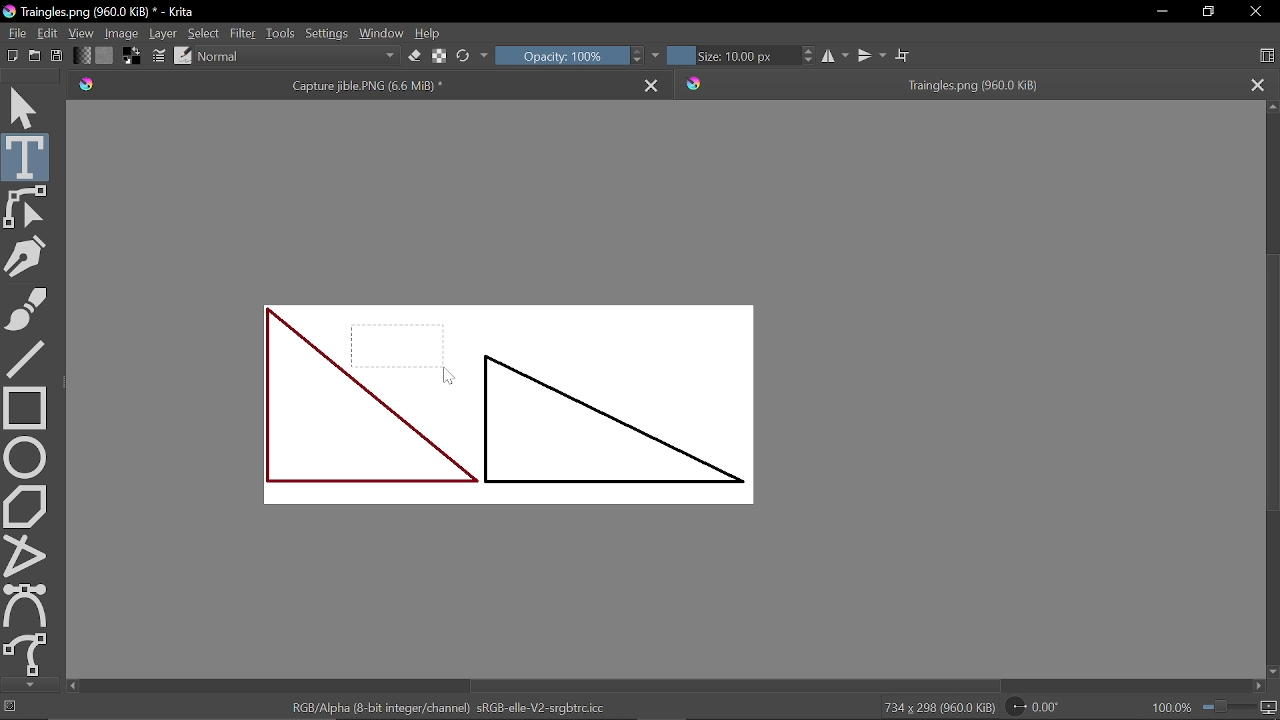 The height and width of the screenshot is (720, 1280). What do you see at coordinates (412, 57) in the screenshot?
I see `Eraser` at bounding box center [412, 57].